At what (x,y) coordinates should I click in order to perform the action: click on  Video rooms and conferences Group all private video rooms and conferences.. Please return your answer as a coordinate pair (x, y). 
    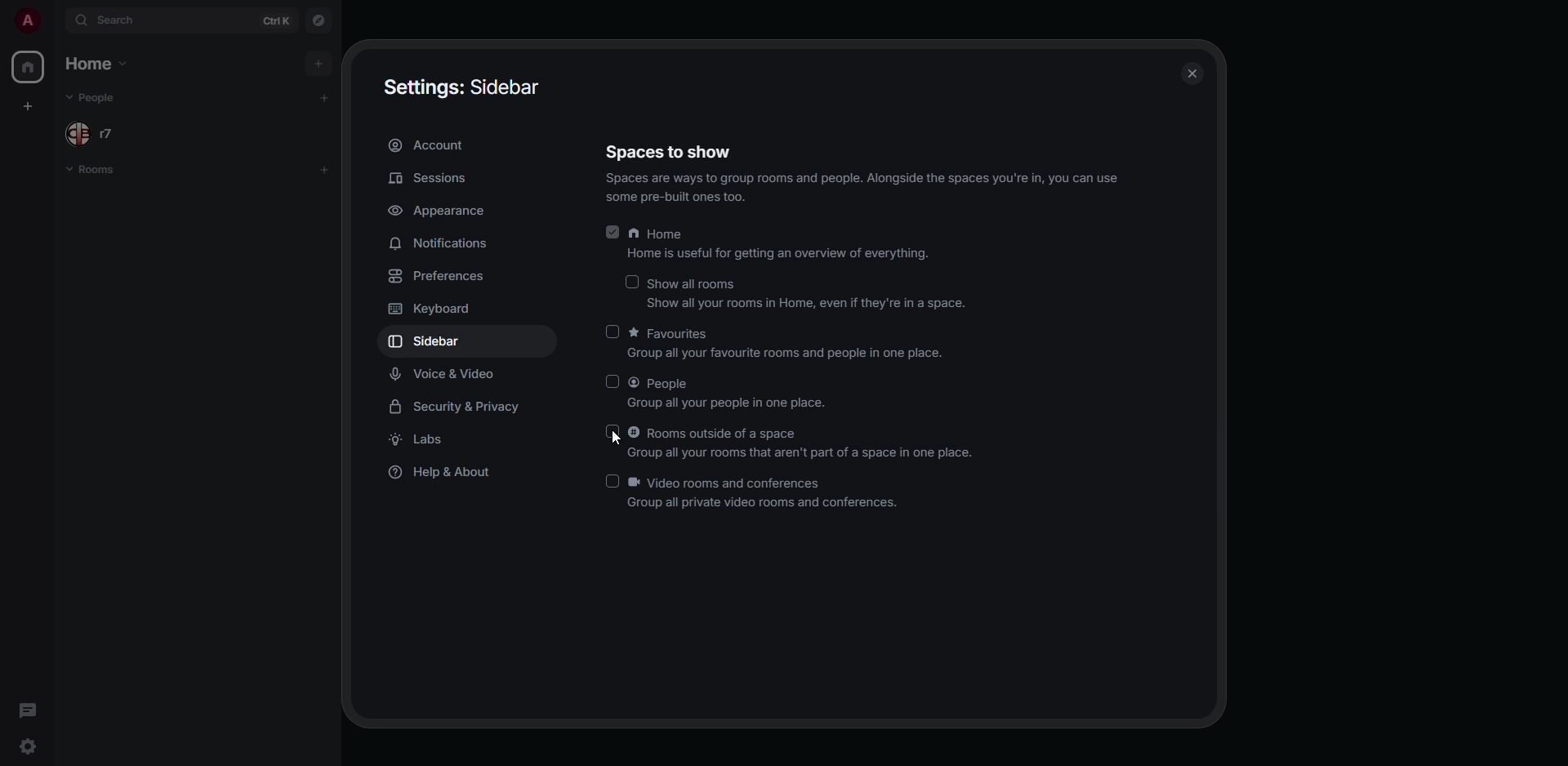
    Looking at the image, I should click on (769, 492).